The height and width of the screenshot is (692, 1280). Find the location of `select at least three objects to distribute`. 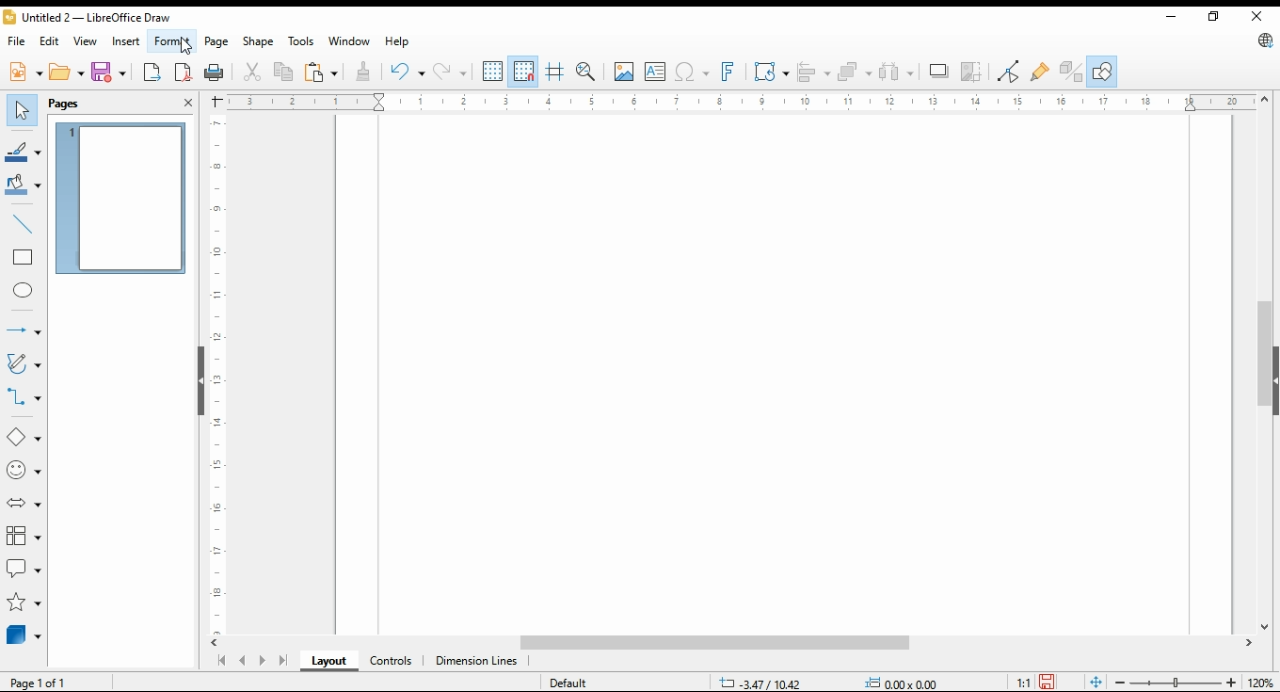

select at least three objects to distribute is located at coordinates (896, 72).